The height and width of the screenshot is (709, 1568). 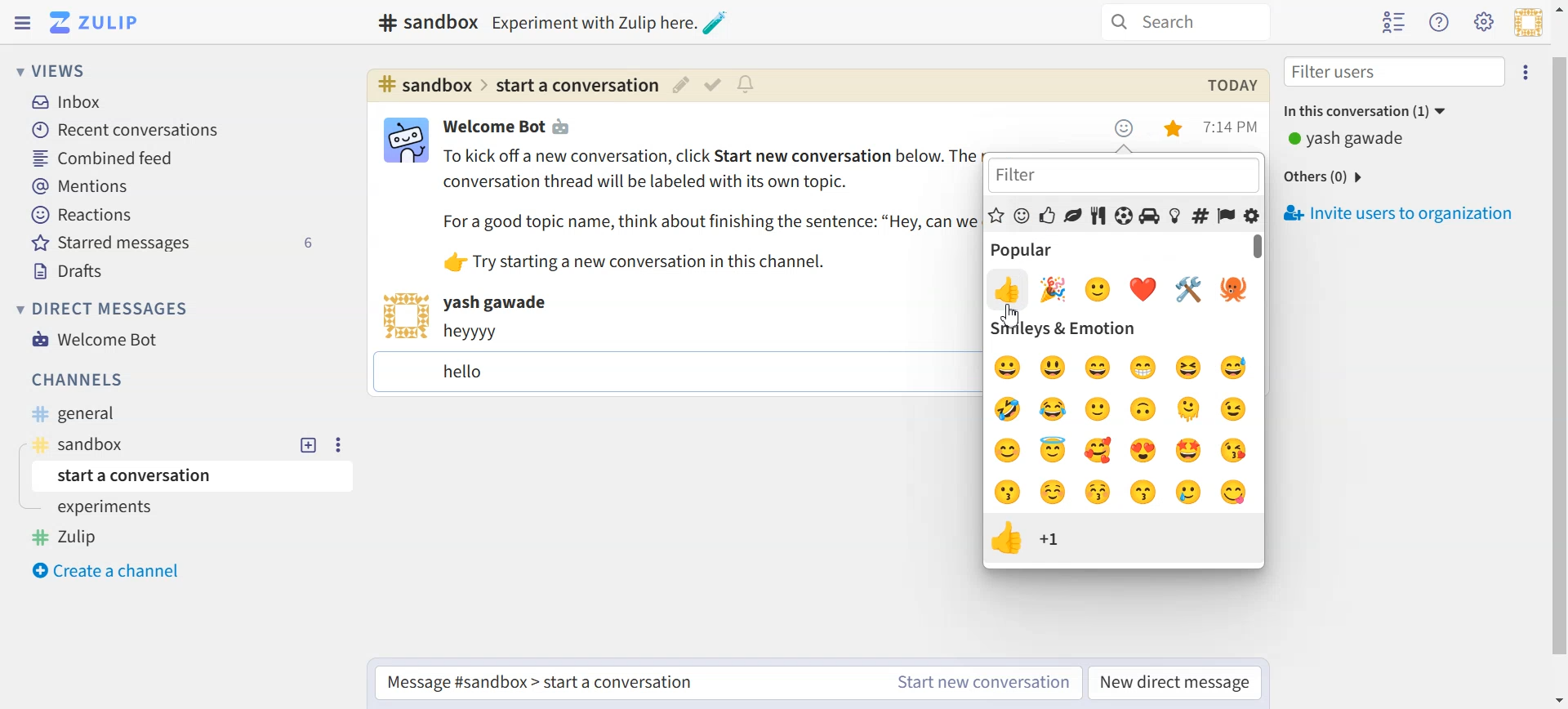 I want to click on Text, so click(x=424, y=22).